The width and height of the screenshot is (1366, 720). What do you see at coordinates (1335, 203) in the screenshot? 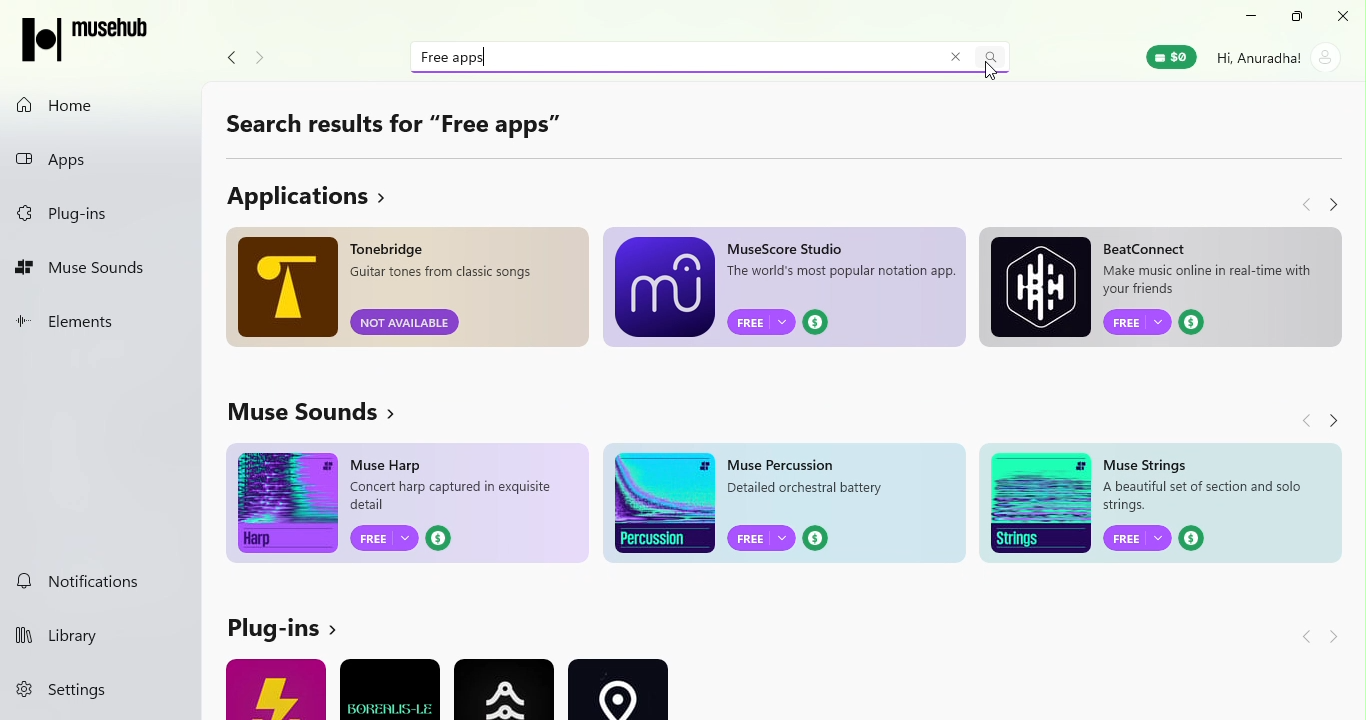
I see `Navigate forward` at bounding box center [1335, 203].